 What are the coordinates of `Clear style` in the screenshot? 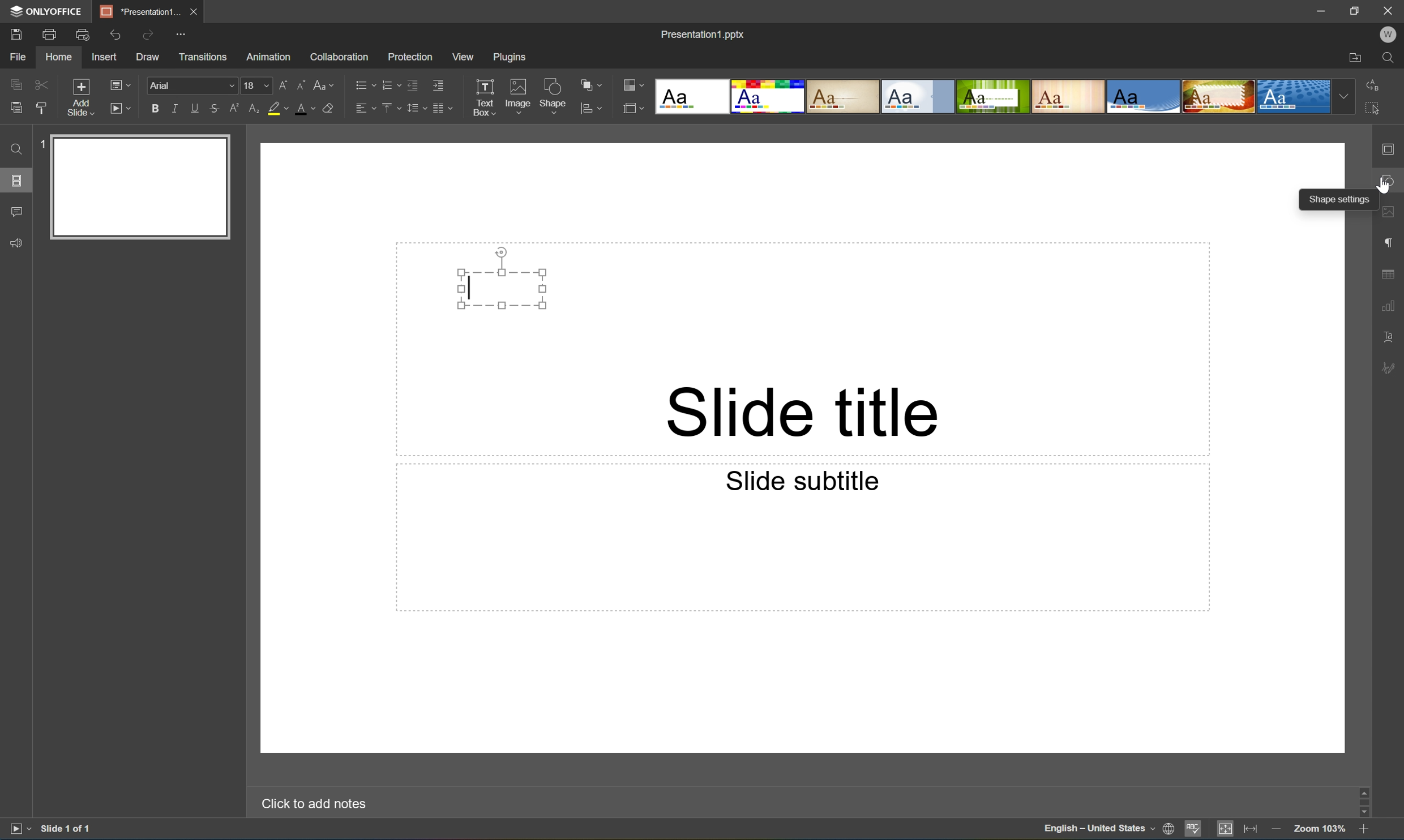 It's located at (328, 107).